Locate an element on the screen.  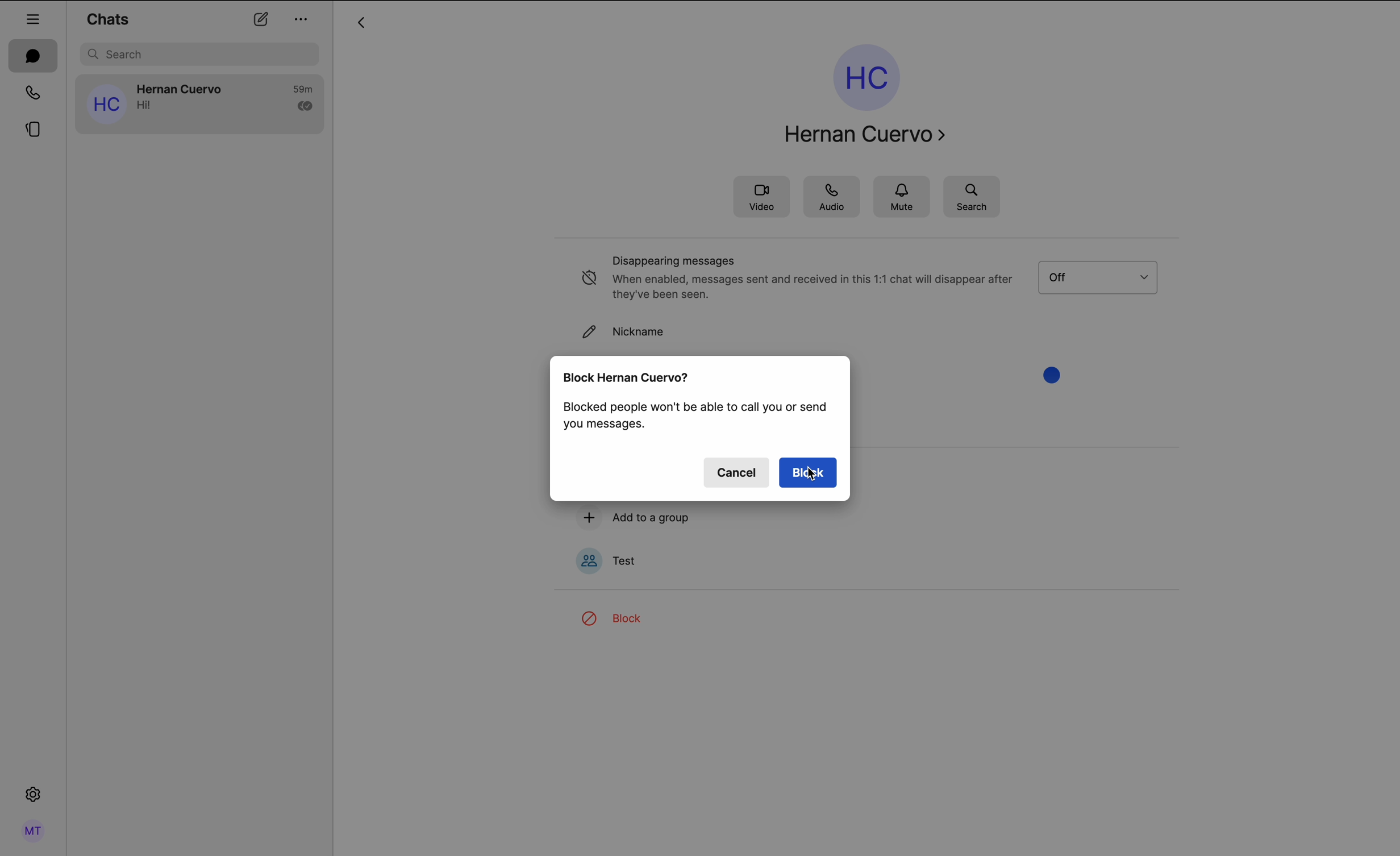
stories is located at coordinates (35, 131).